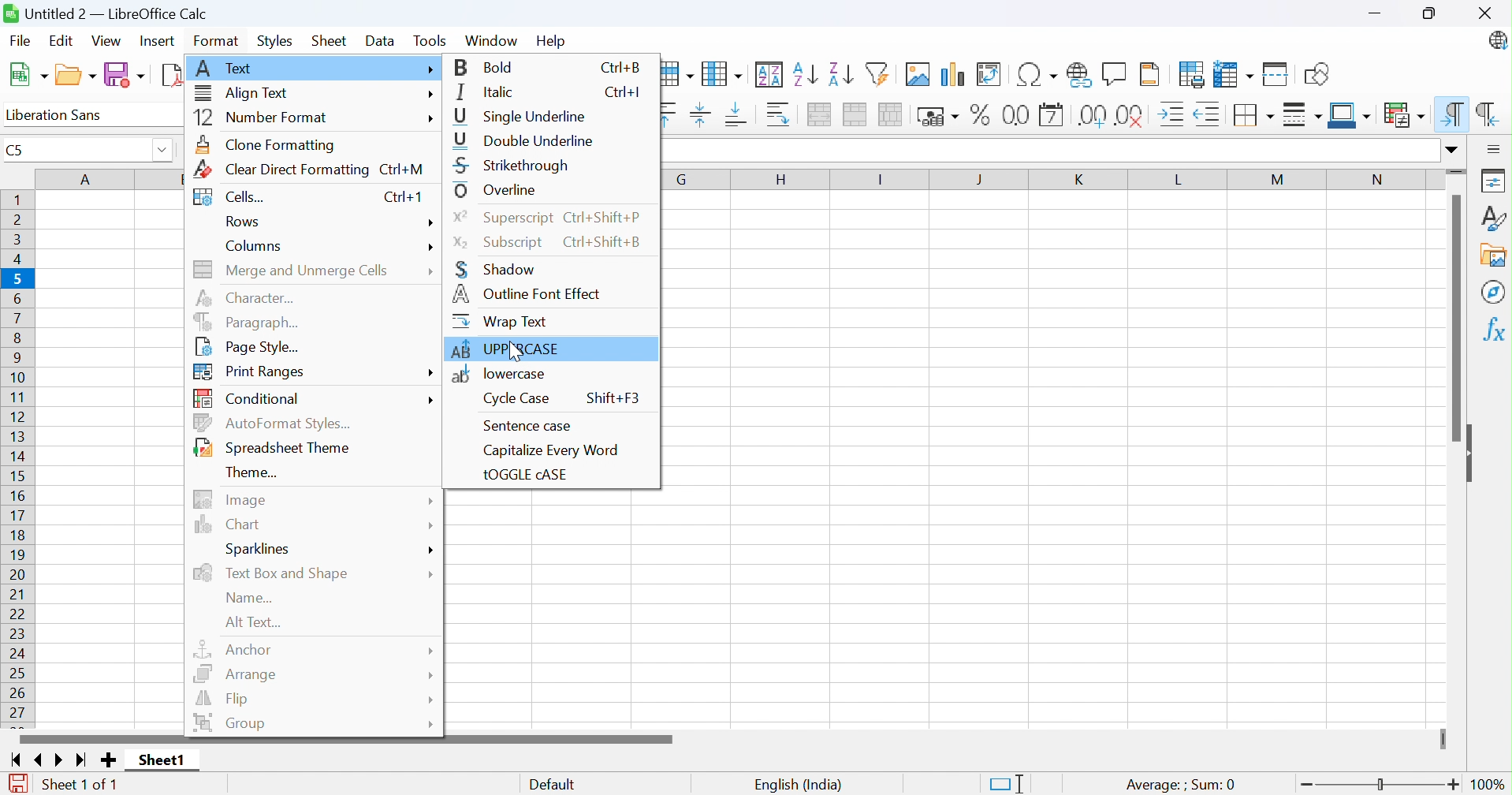  Describe the element at coordinates (1487, 13) in the screenshot. I see `Close` at that location.